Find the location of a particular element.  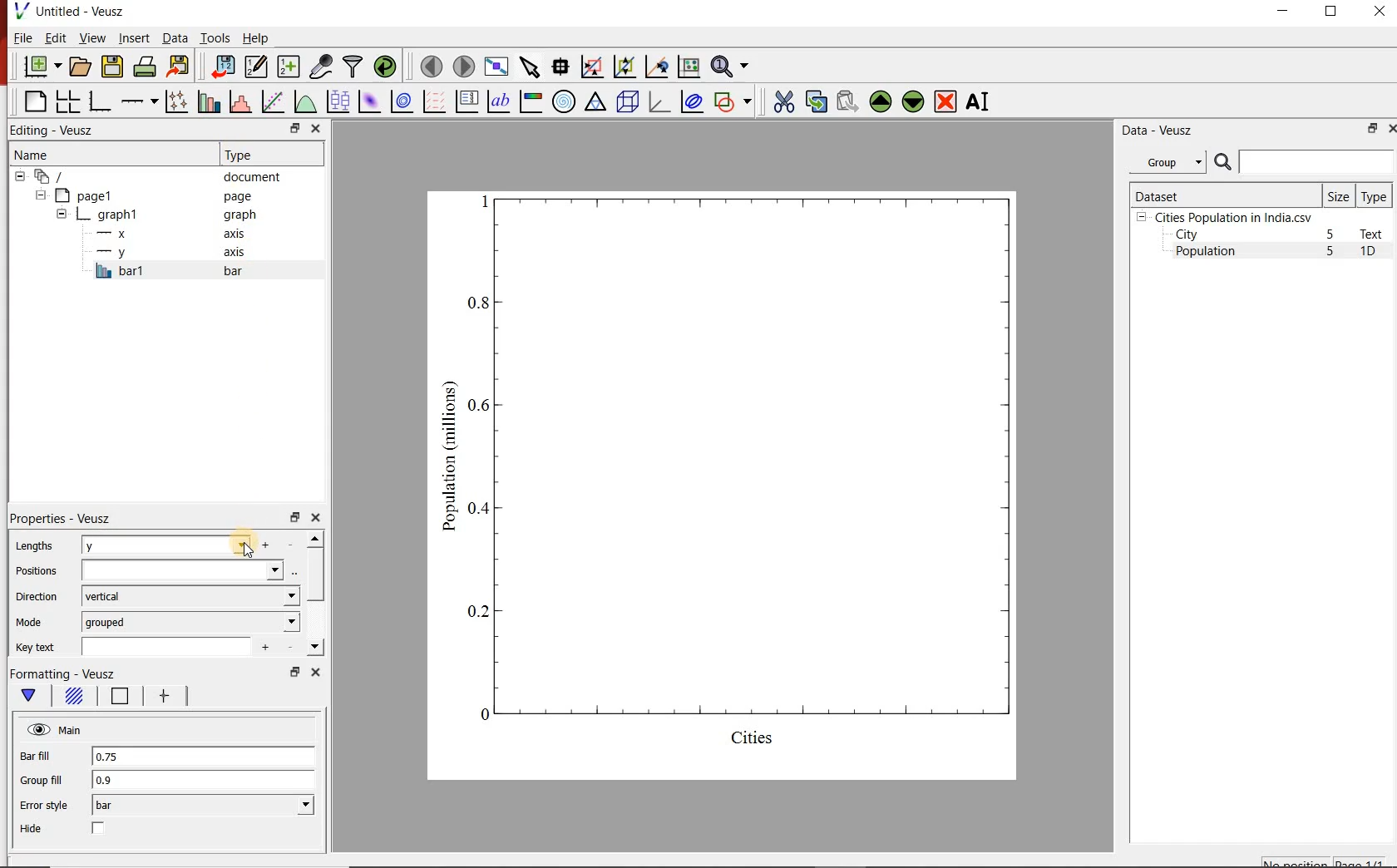

edit and enter new datasets is located at coordinates (254, 67).